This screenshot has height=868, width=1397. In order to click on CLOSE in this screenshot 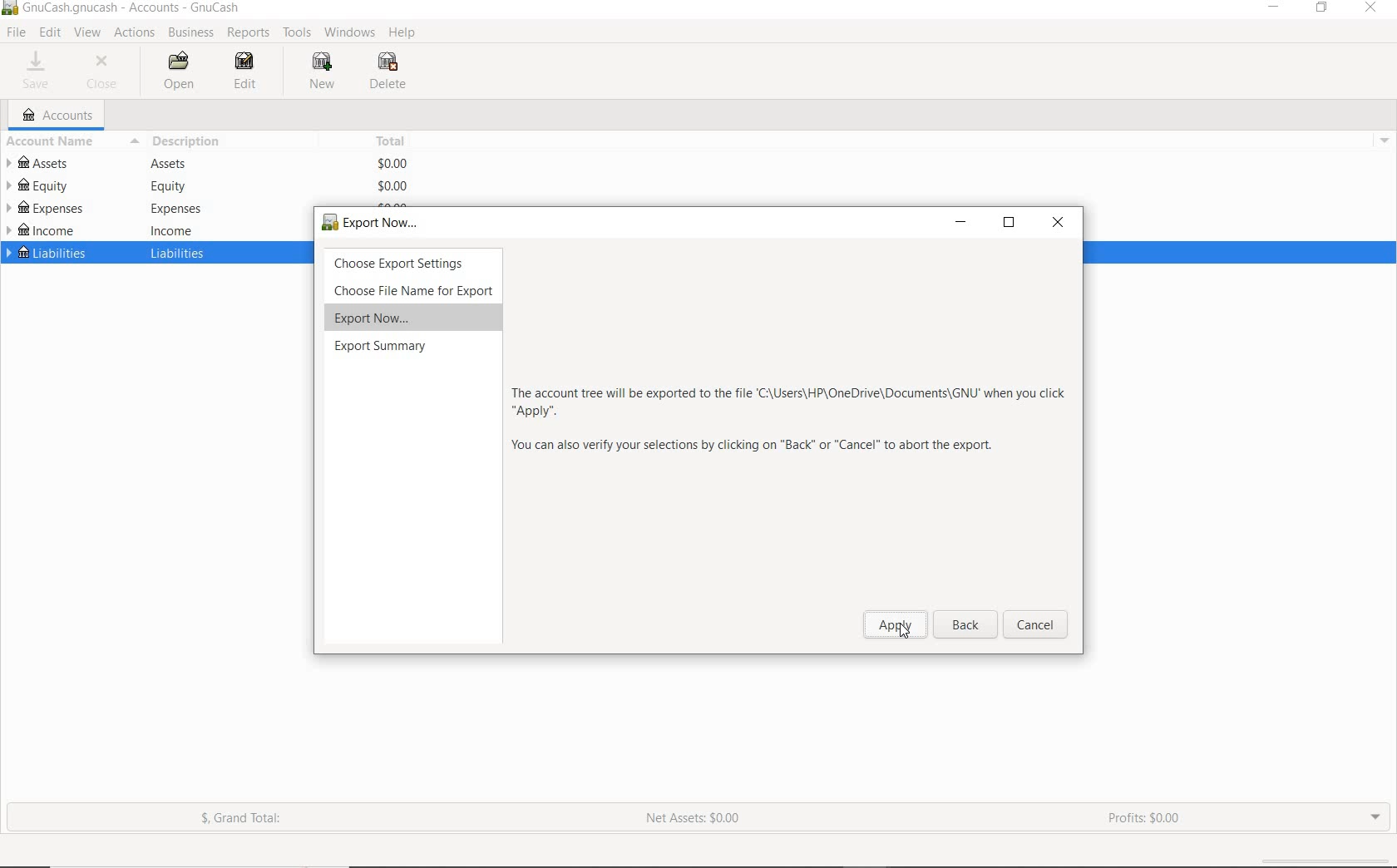, I will do `click(1371, 8)`.